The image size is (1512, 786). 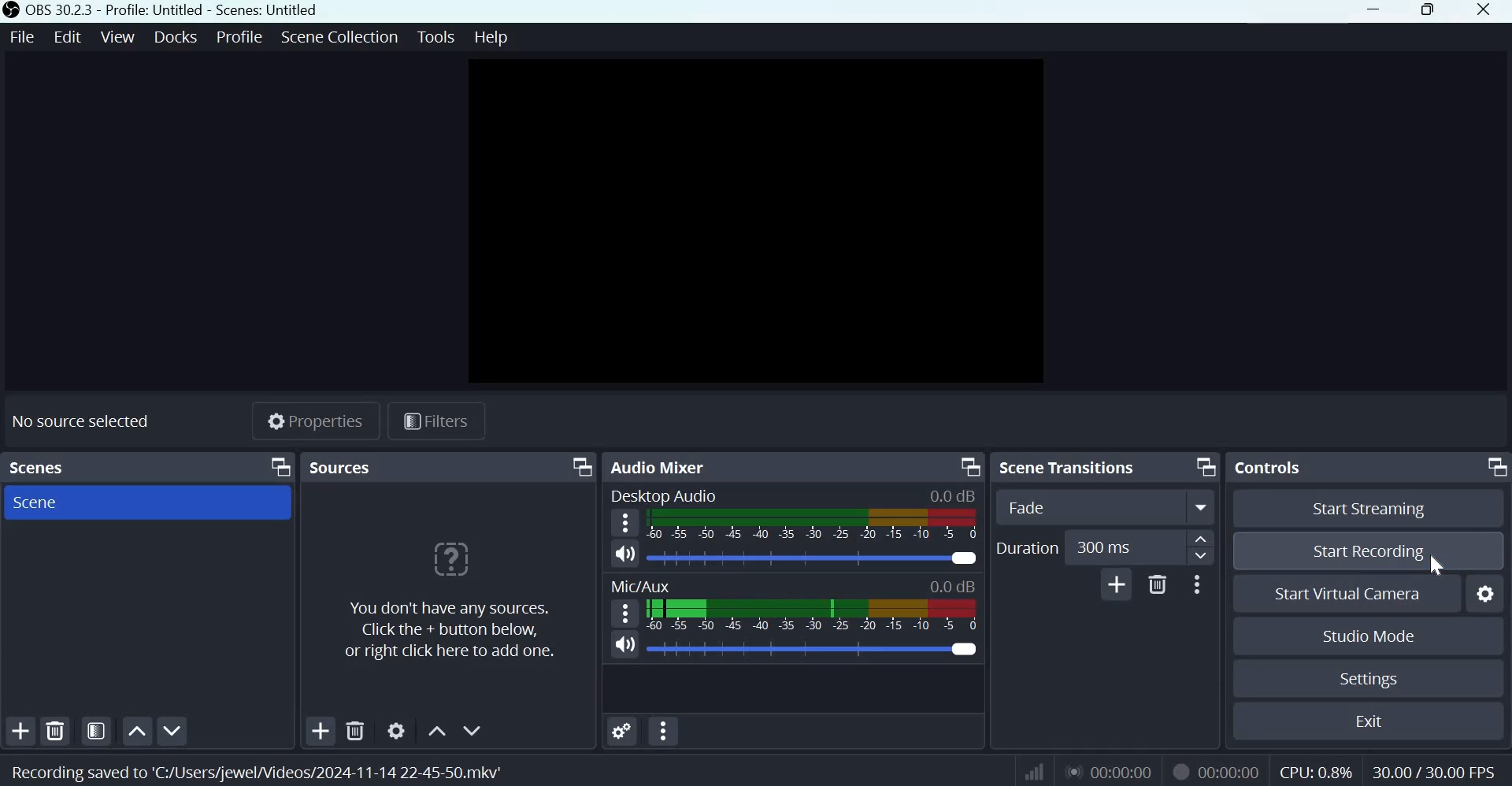 I want to click on Dock Options icon, so click(x=281, y=467).